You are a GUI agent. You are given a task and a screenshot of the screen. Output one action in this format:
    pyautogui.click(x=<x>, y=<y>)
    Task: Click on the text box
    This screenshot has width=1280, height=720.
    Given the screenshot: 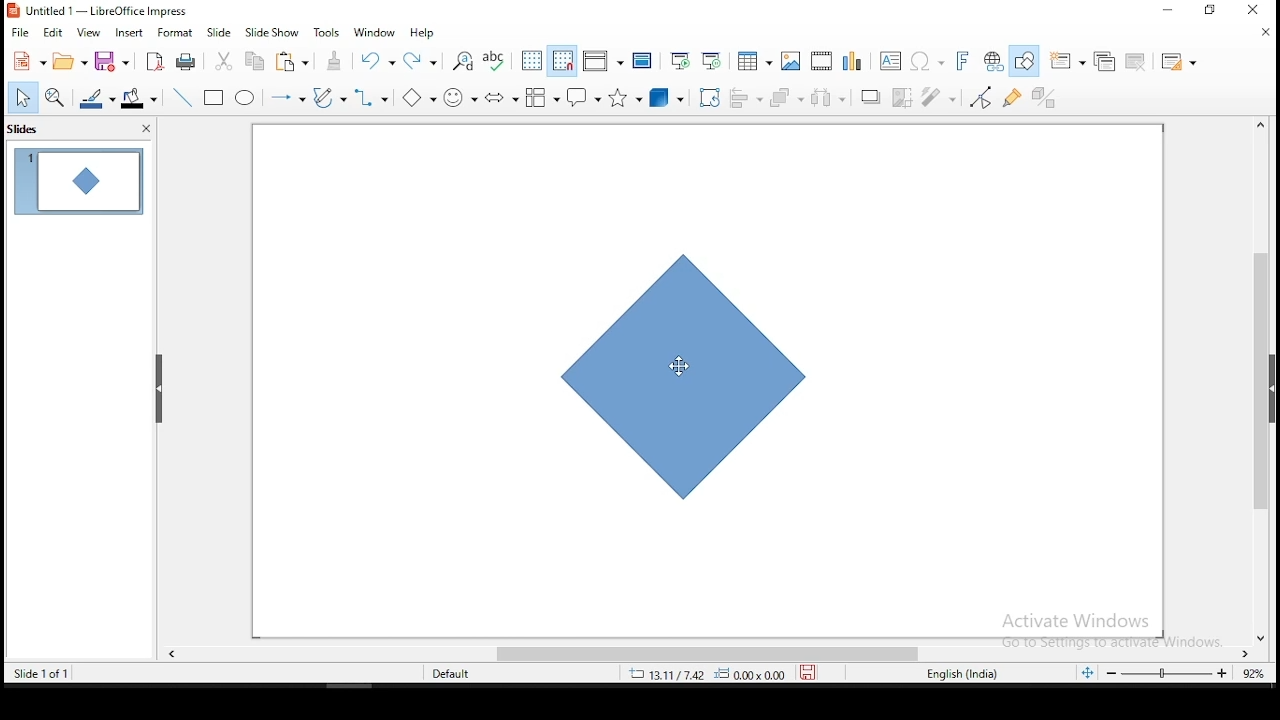 What is the action you would take?
    pyautogui.click(x=893, y=60)
    